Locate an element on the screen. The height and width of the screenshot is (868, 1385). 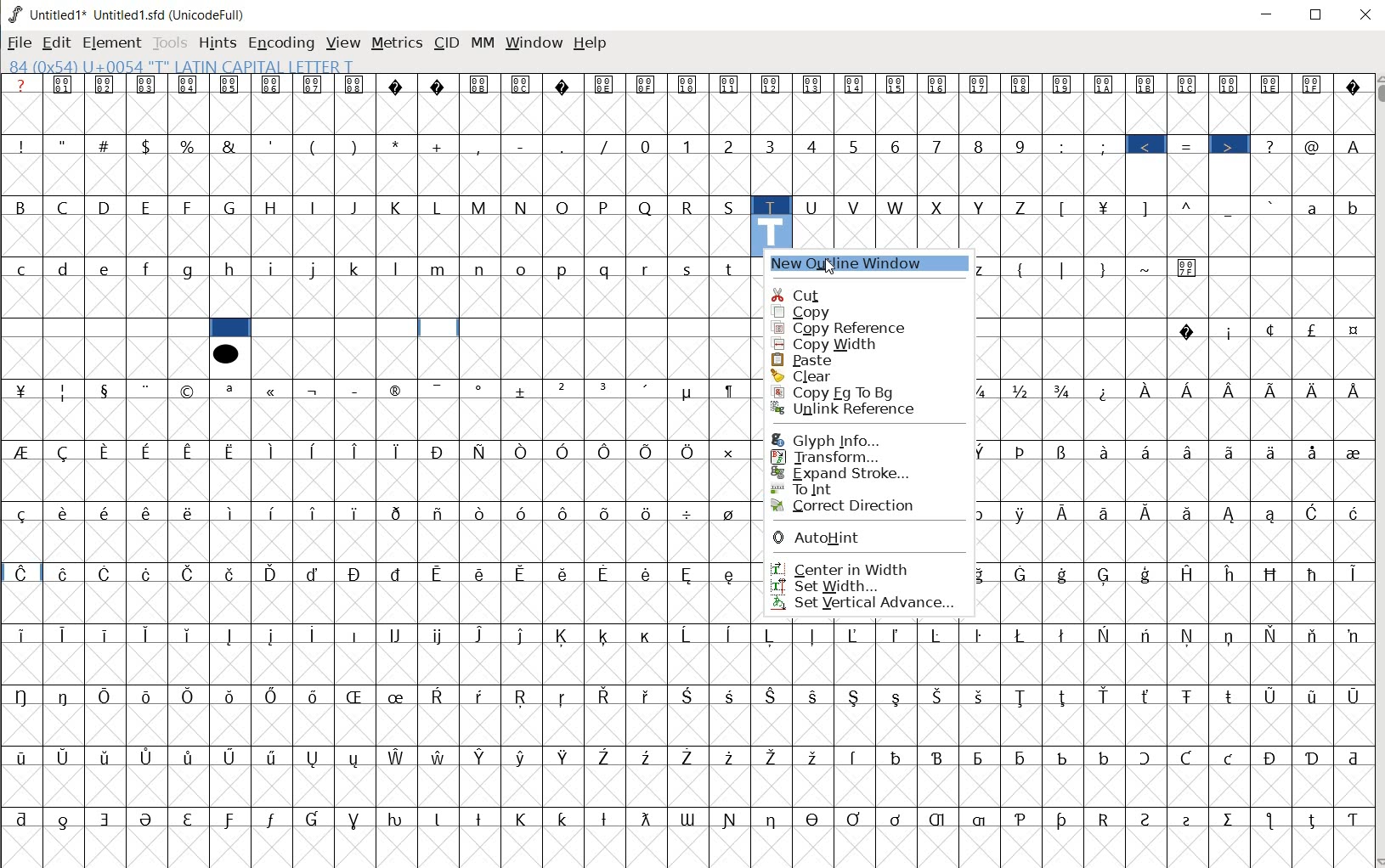
Symbol is located at coordinates (981, 84).